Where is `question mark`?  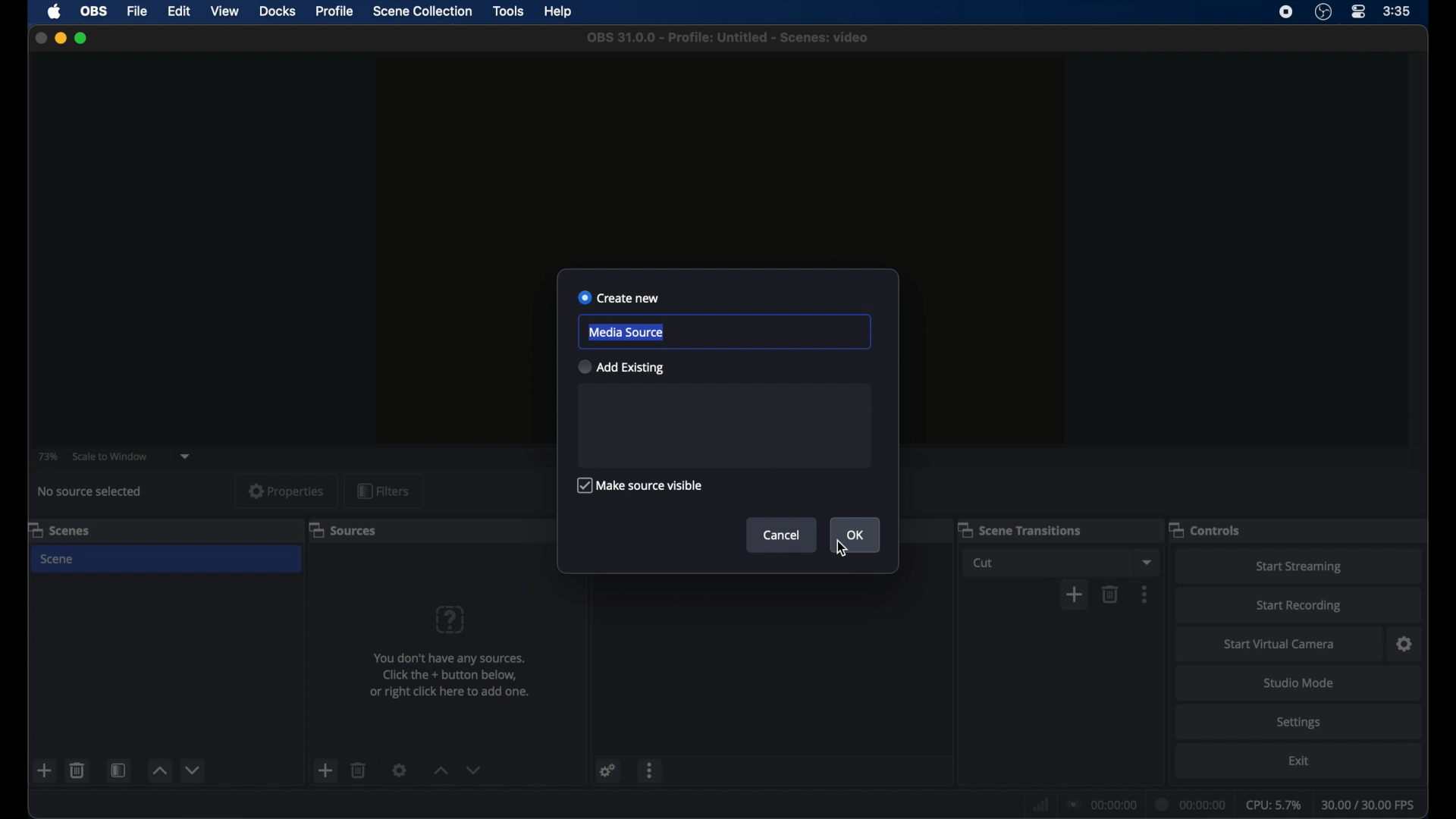
question mark is located at coordinates (450, 619).